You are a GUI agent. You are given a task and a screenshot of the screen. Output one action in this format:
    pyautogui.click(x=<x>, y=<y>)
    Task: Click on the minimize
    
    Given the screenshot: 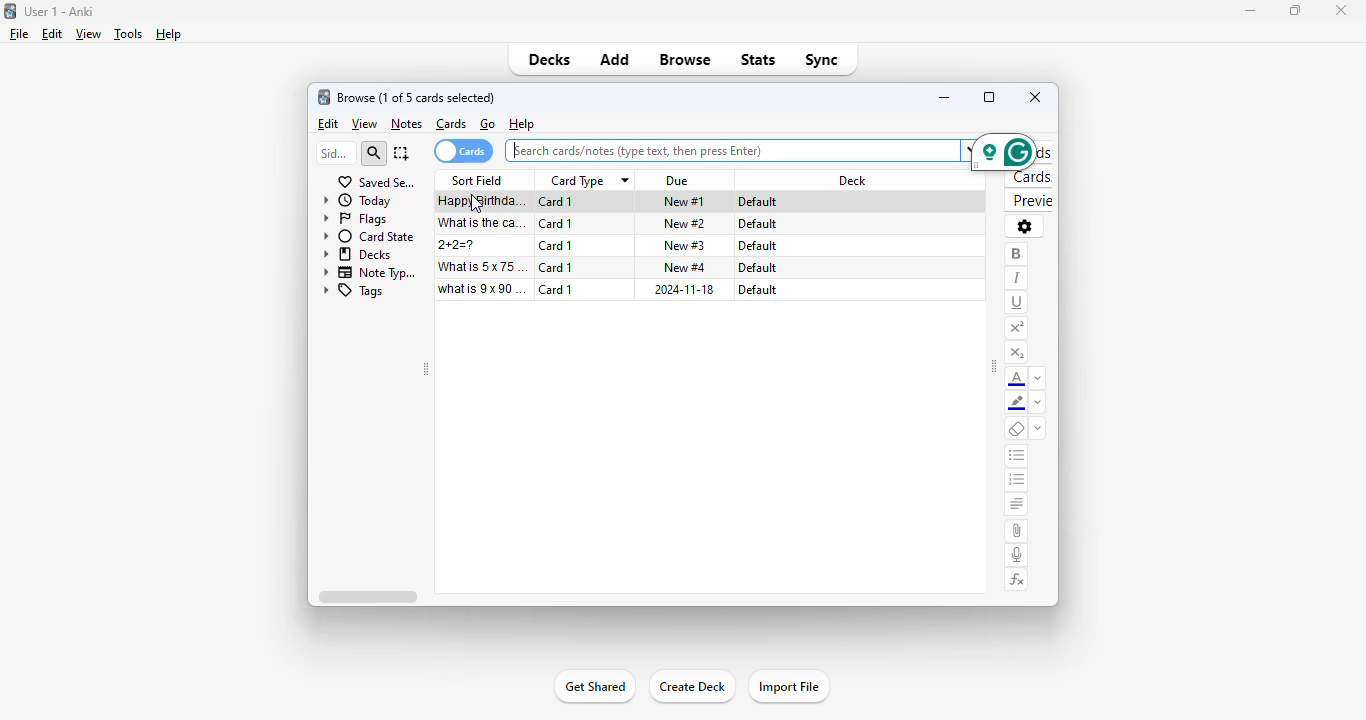 What is the action you would take?
    pyautogui.click(x=1249, y=11)
    